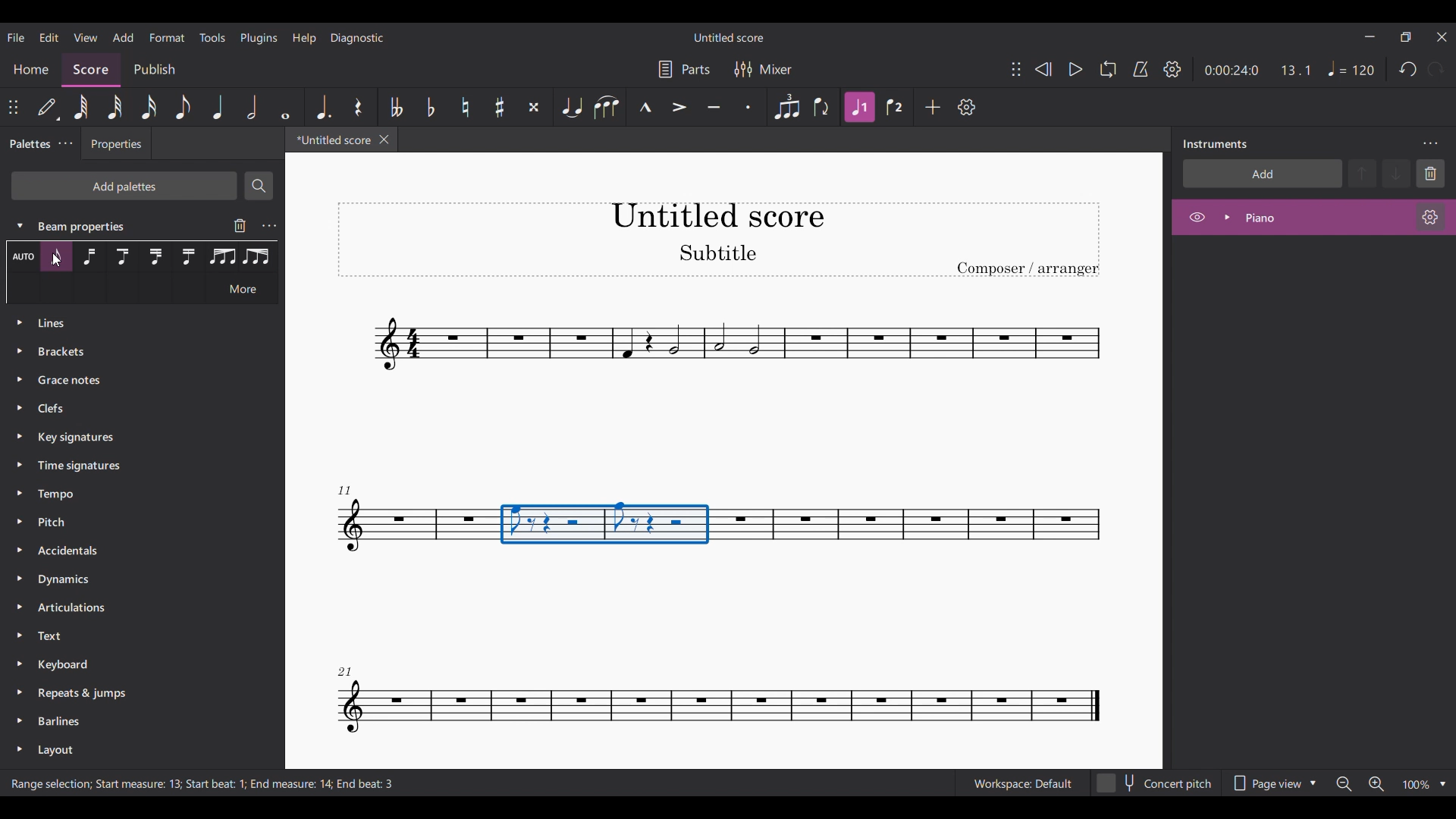 Image resolution: width=1456 pixels, height=819 pixels. Describe the element at coordinates (1301, 217) in the screenshot. I see `Piano` at that location.